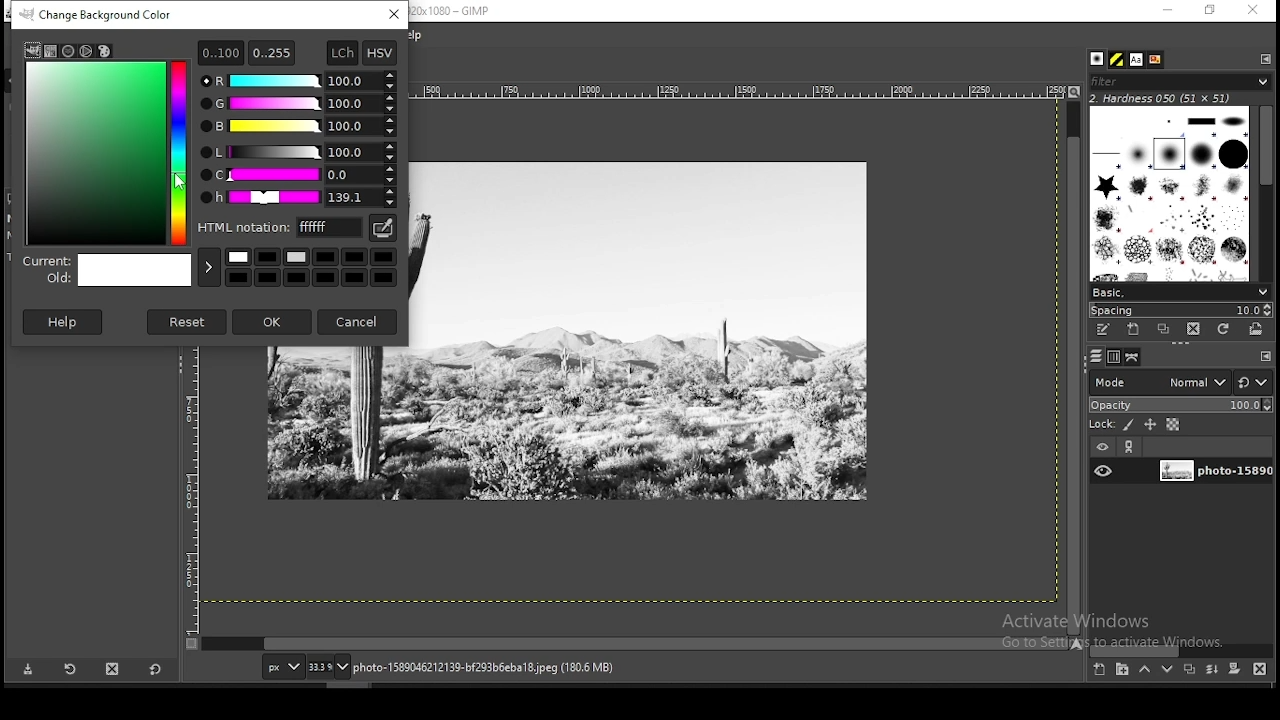 Image resolution: width=1280 pixels, height=720 pixels. Describe the element at coordinates (1136, 330) in the screenshot. I see `create a new brush` at that location.